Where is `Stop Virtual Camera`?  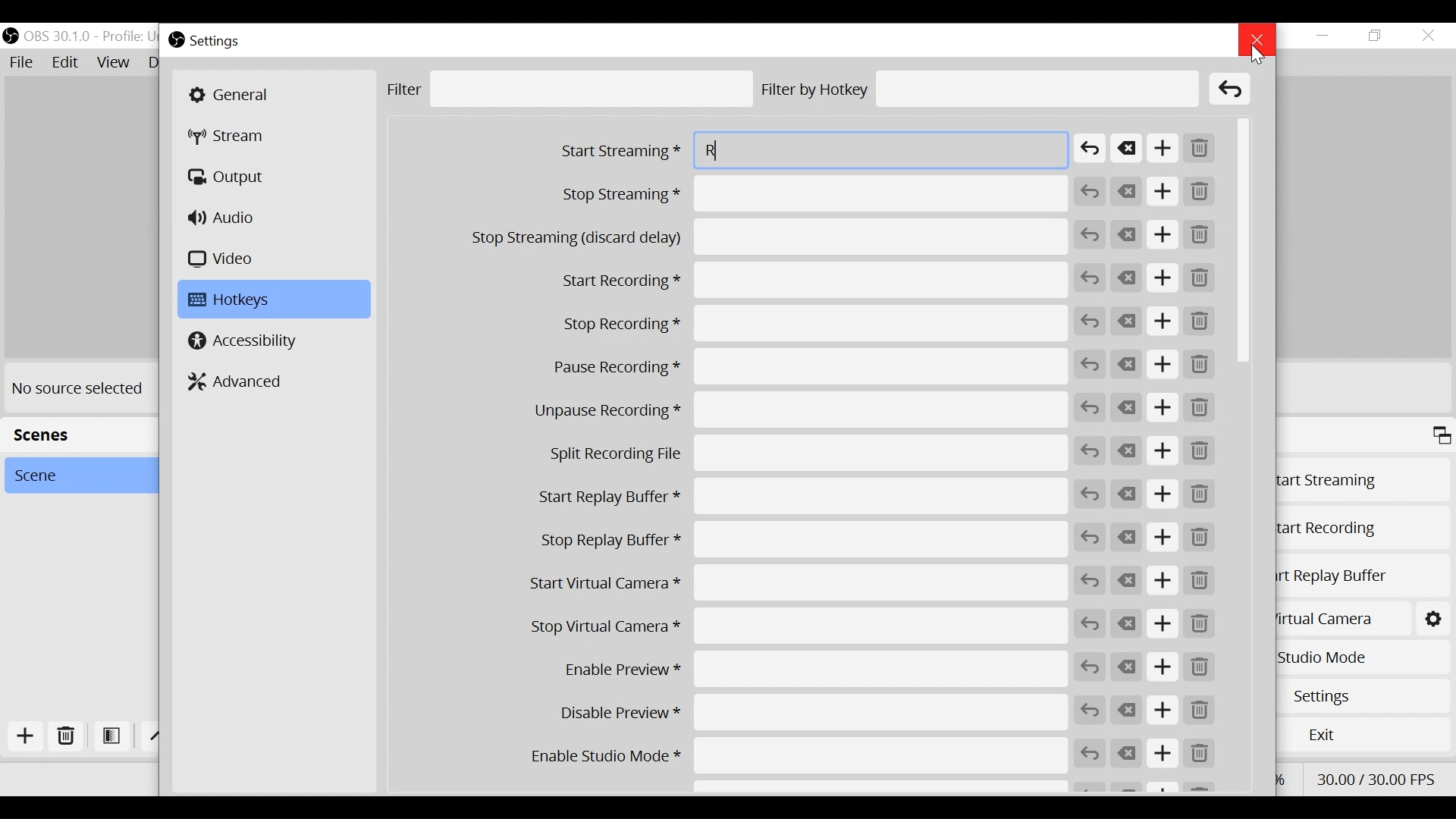
Stop Virtual Camera is located at coordinates (797, 626).